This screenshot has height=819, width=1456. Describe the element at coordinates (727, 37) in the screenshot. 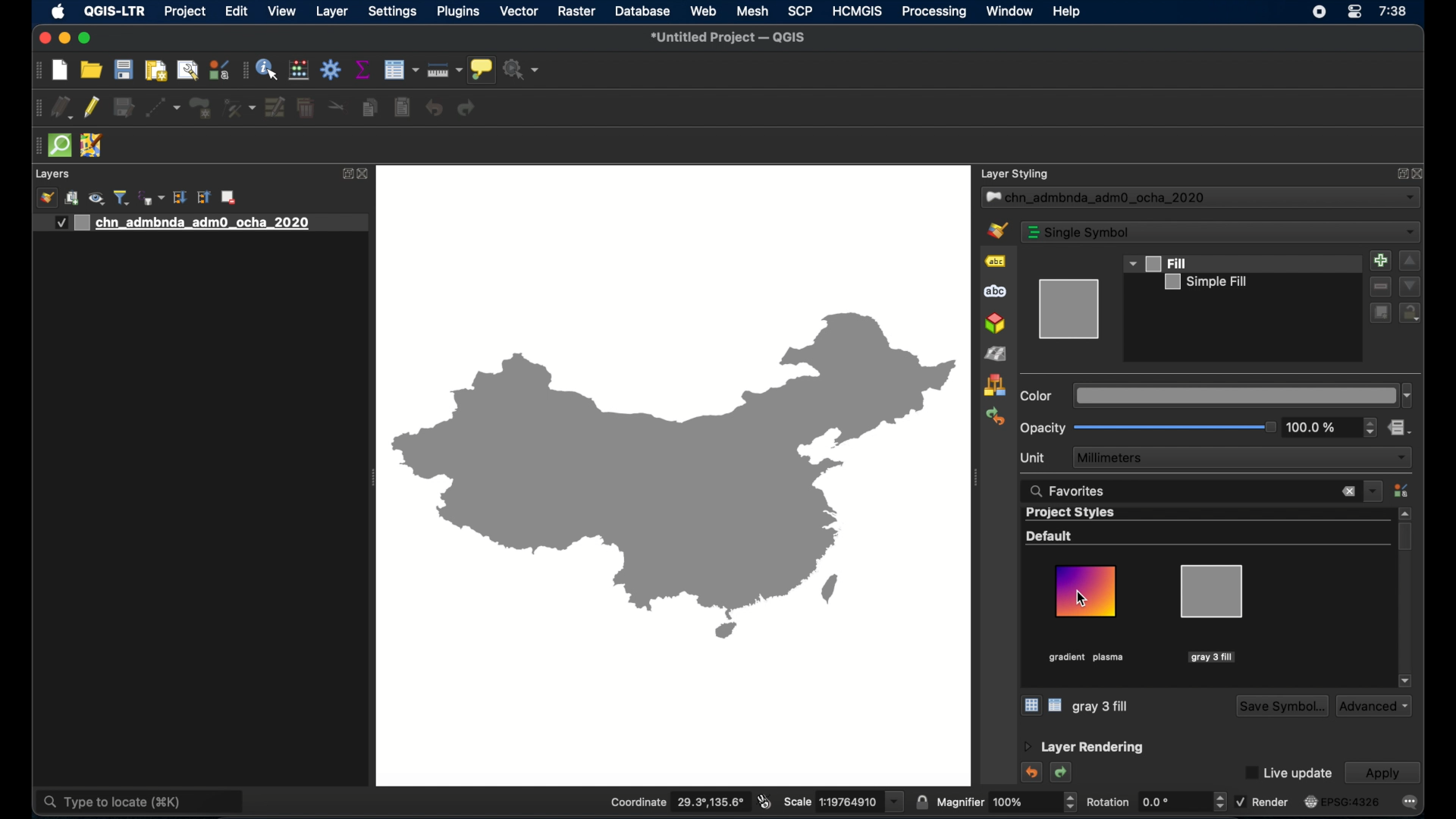

I see `untitled project - QGIS` at that location.